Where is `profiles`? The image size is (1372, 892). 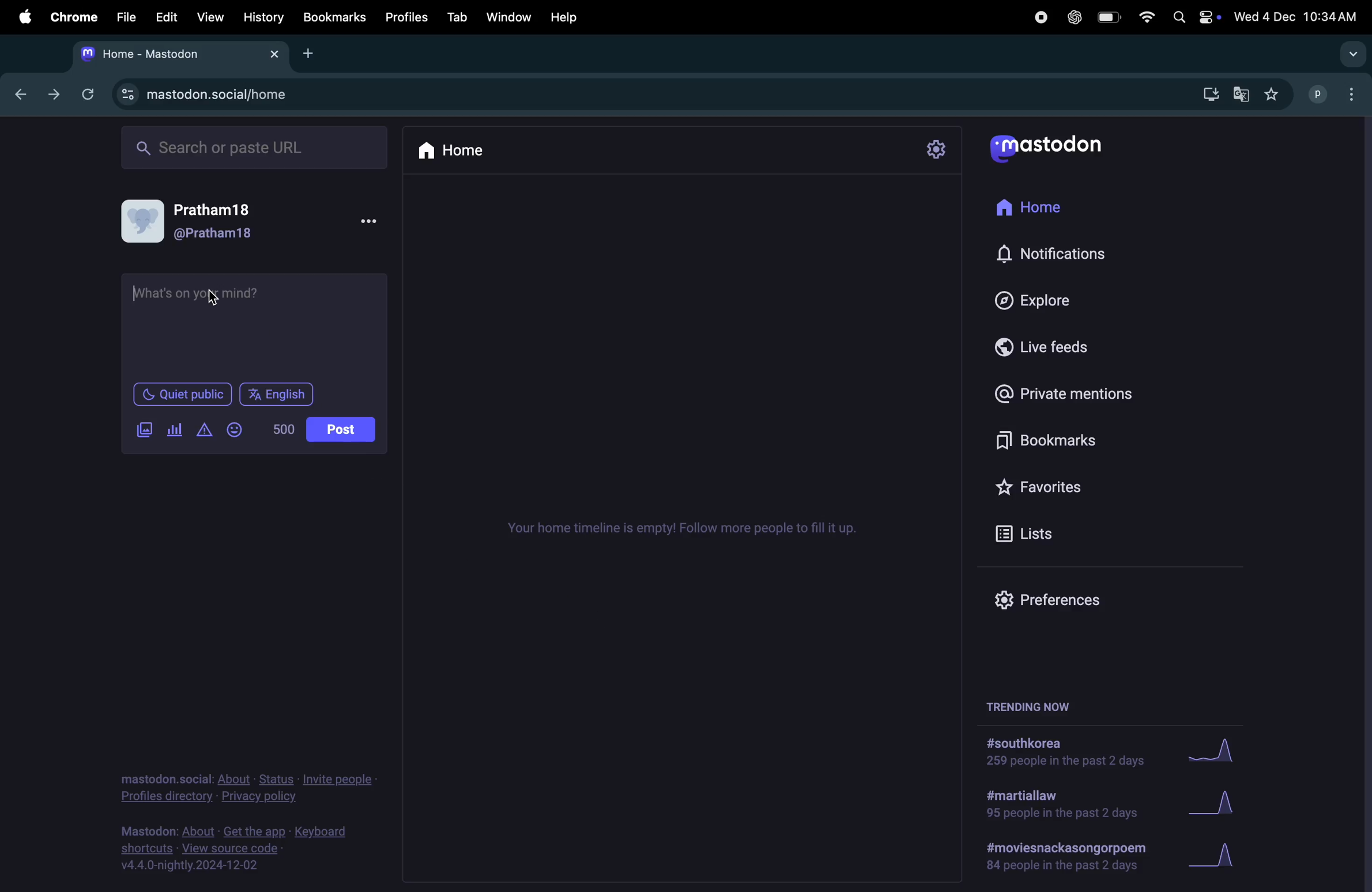 profiles is located at coordinates (408, 16).